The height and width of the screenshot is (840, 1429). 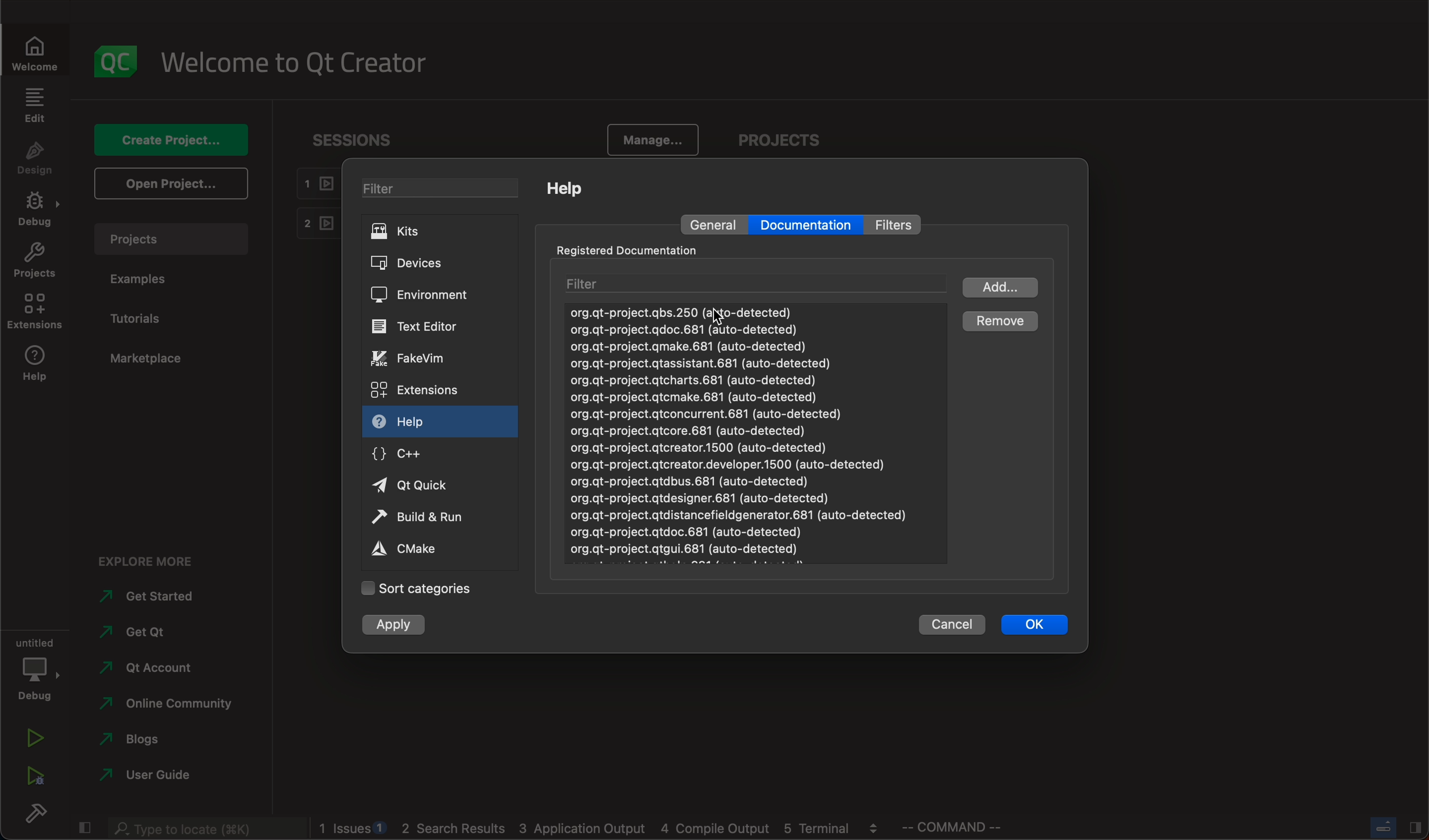 What do you see at coordinates (39, 363) in the screenshot?
I see `help` at bounding box center [39, 363].